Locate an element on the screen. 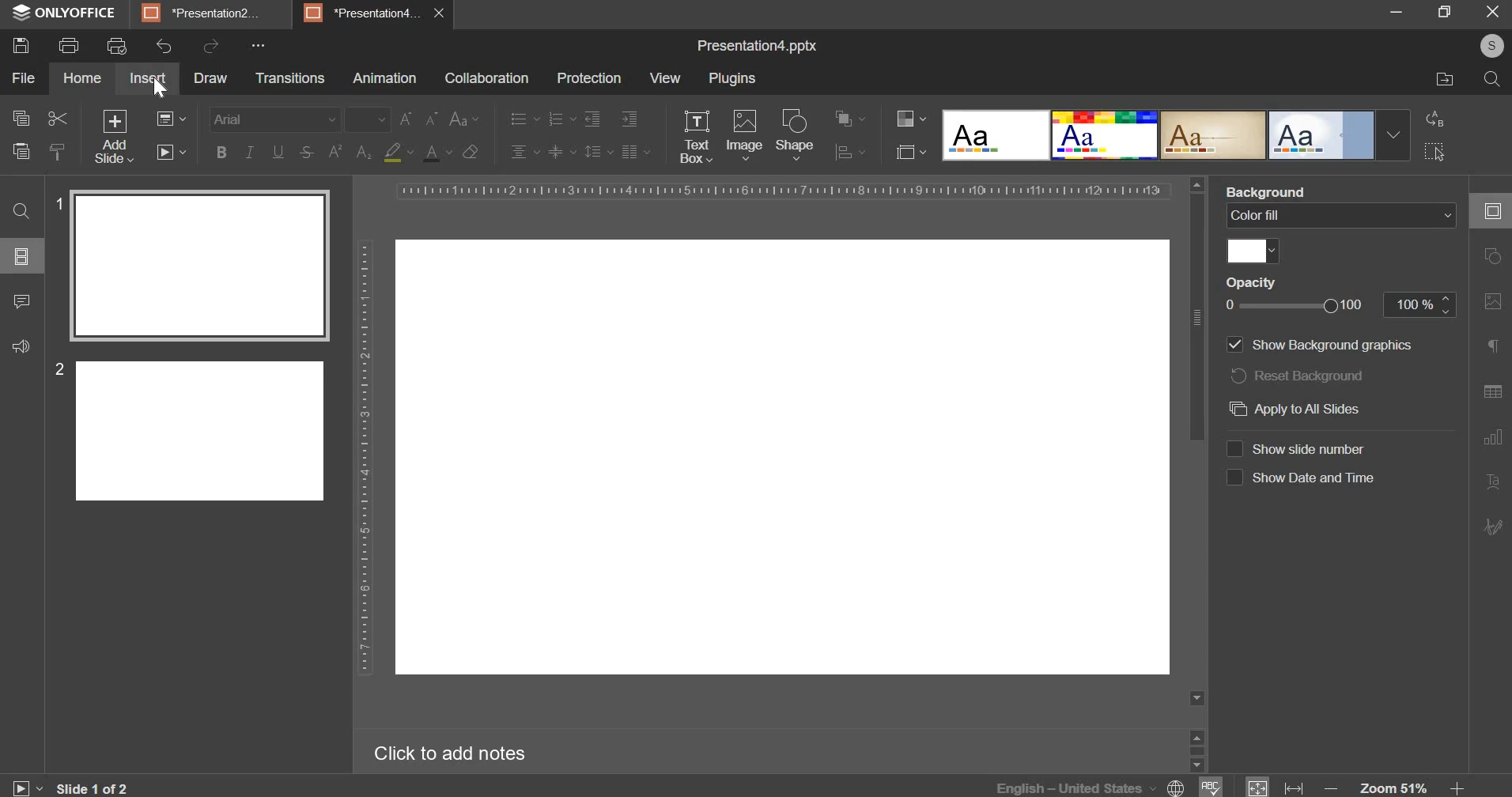 This screenshot has width=1512, height=797. search is located at coordinates (17, 209).